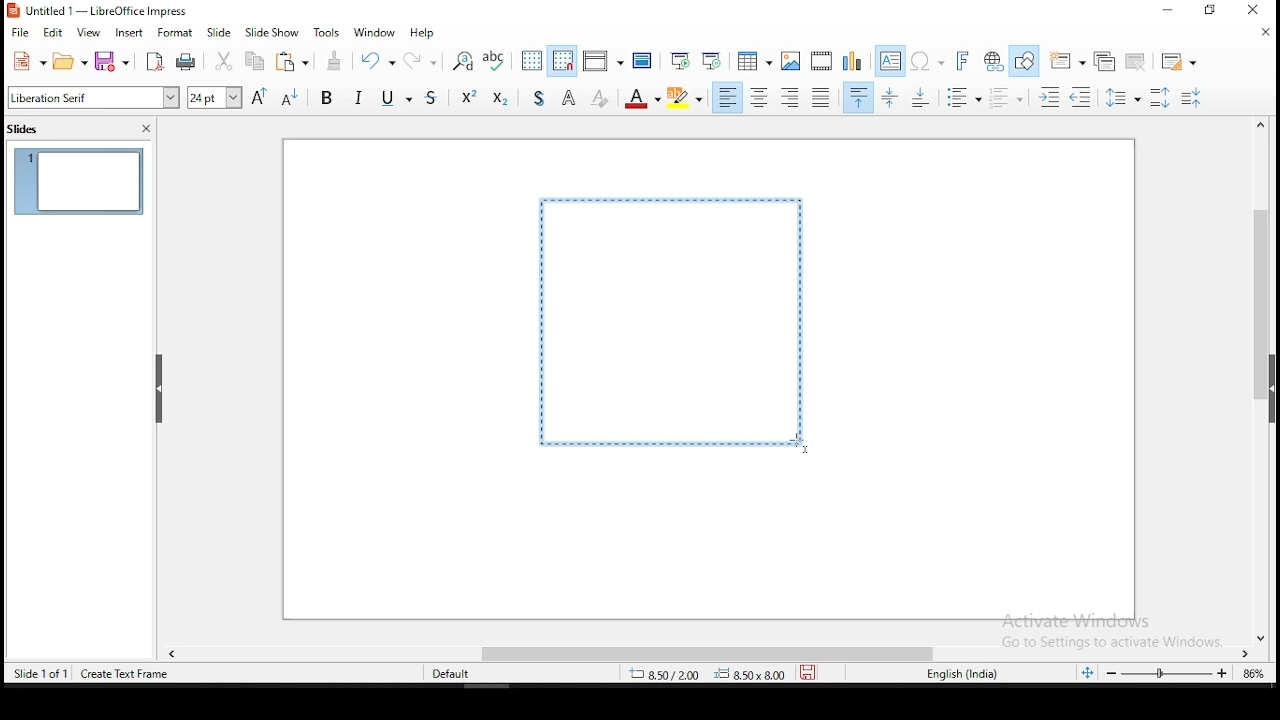 This screenshot has width=1280, height=720. Describe the element at coordinates (1046, 97) in the screenshot. I see `increase indent` at that location.